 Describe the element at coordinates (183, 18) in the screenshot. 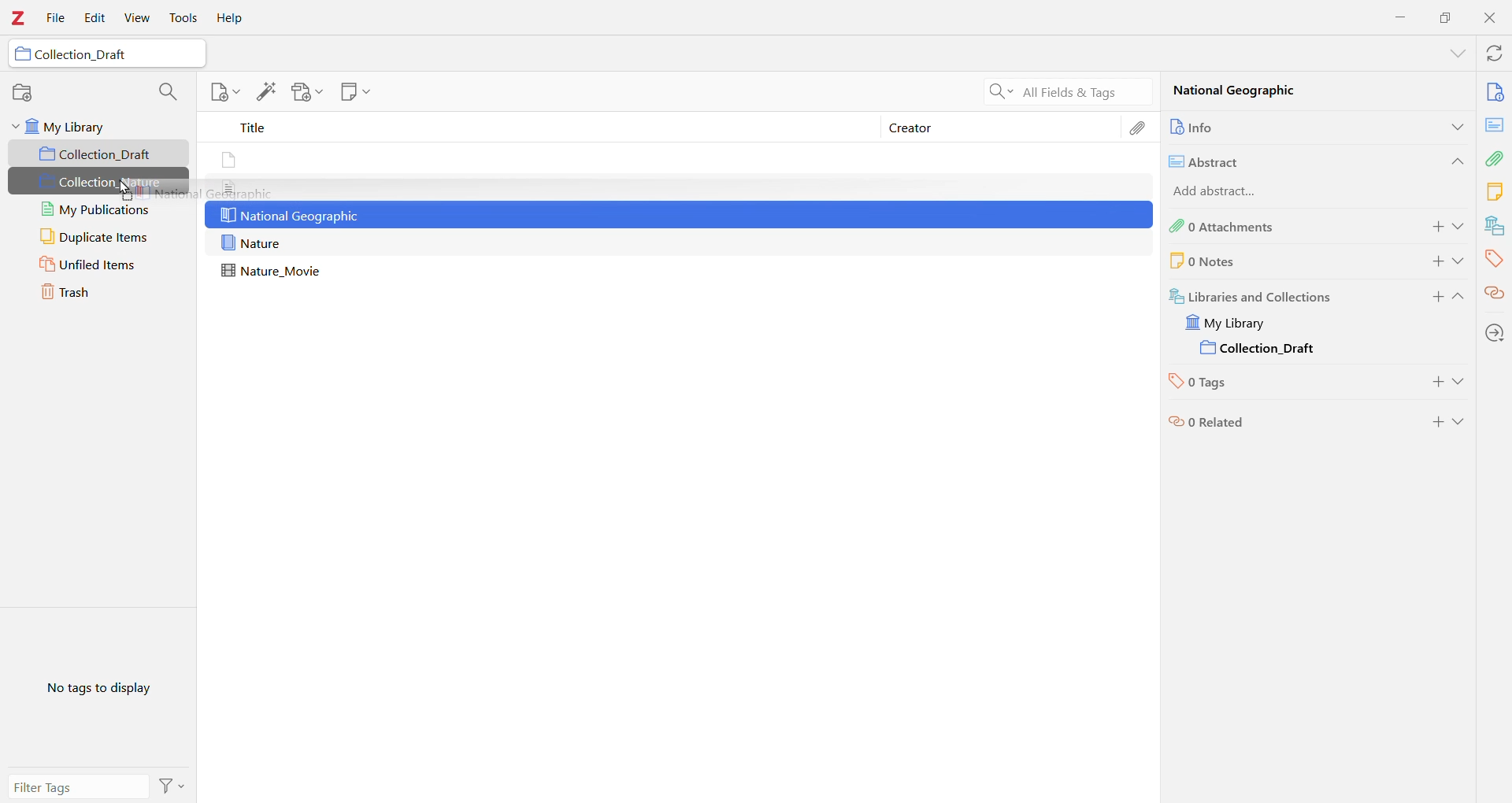

I see `Tools` at that location.